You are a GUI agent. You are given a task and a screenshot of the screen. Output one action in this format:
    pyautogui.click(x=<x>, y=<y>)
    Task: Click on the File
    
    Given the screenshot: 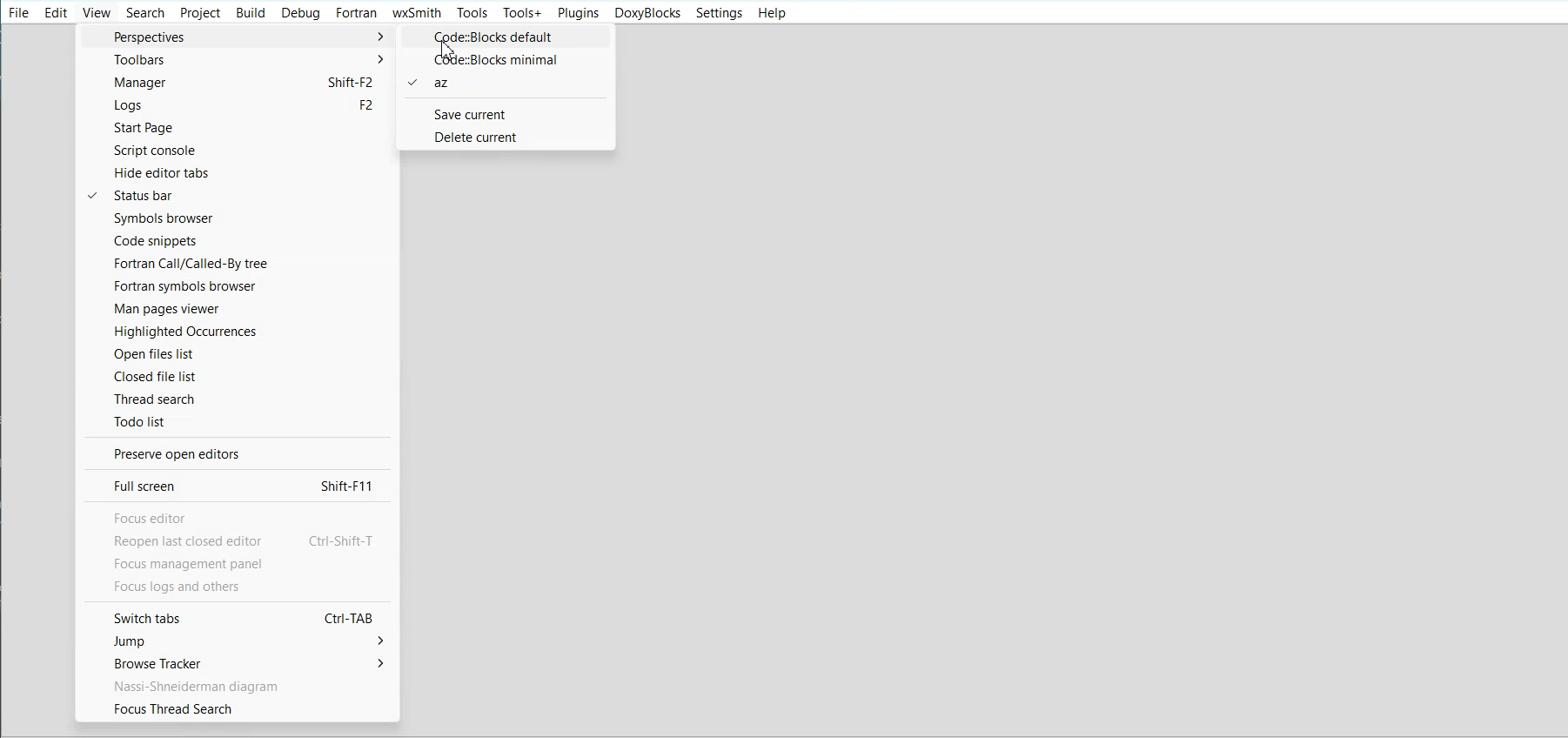 What is the action you would take?
    pyautogui.click(x=19, y=11)
    